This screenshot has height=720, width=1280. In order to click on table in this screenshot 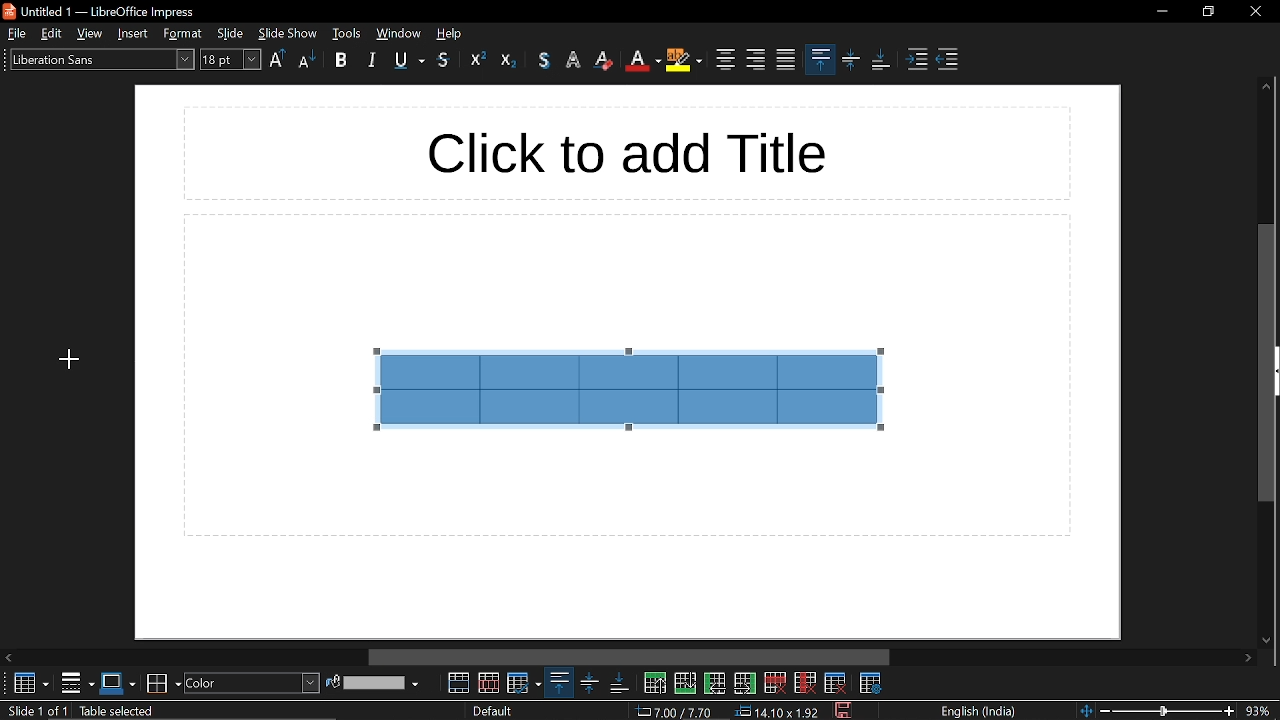, I will do `click(26, 684)`.